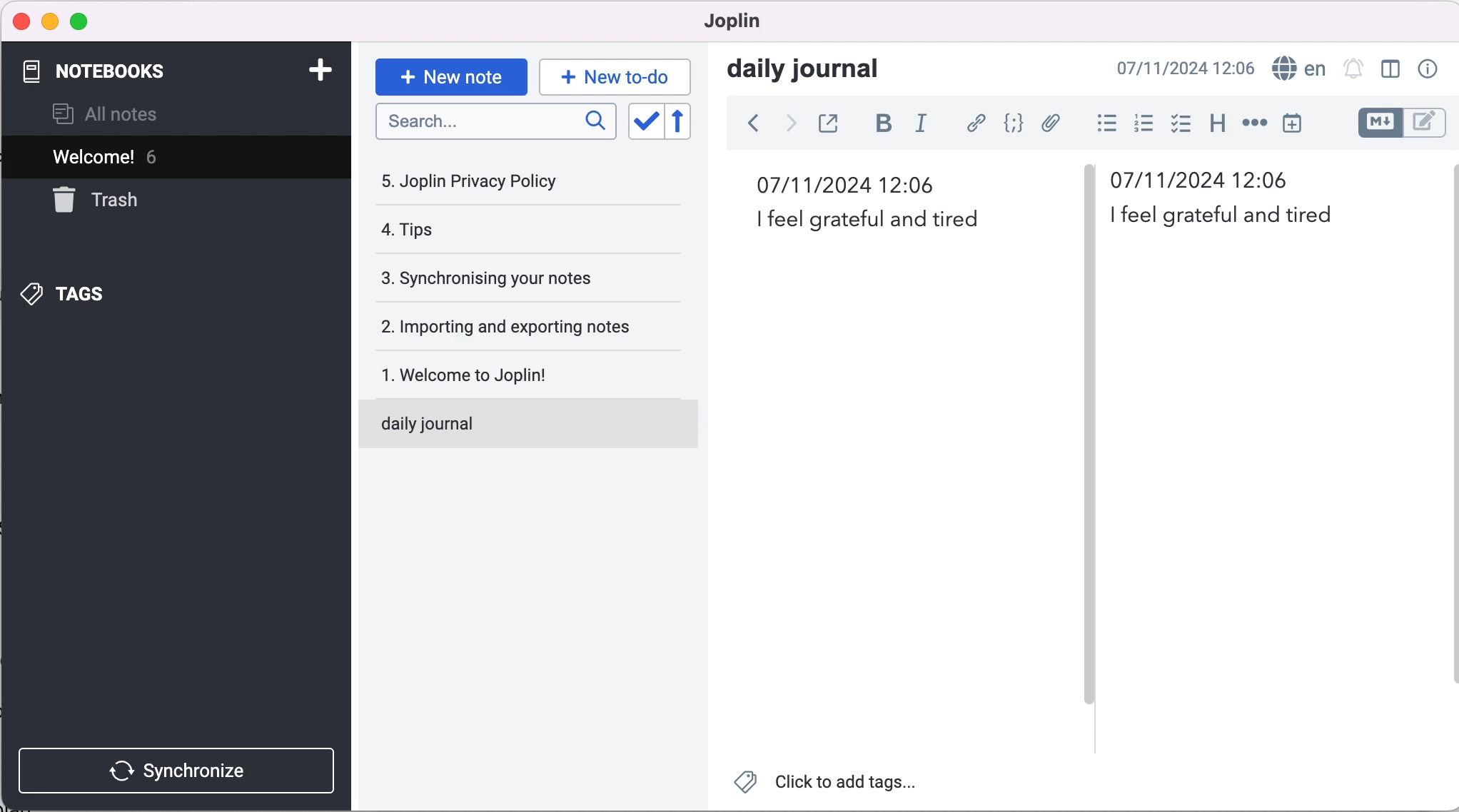 The height and width of the screenshot is (812, 1459). I want to click on tags, so click(91, 290).